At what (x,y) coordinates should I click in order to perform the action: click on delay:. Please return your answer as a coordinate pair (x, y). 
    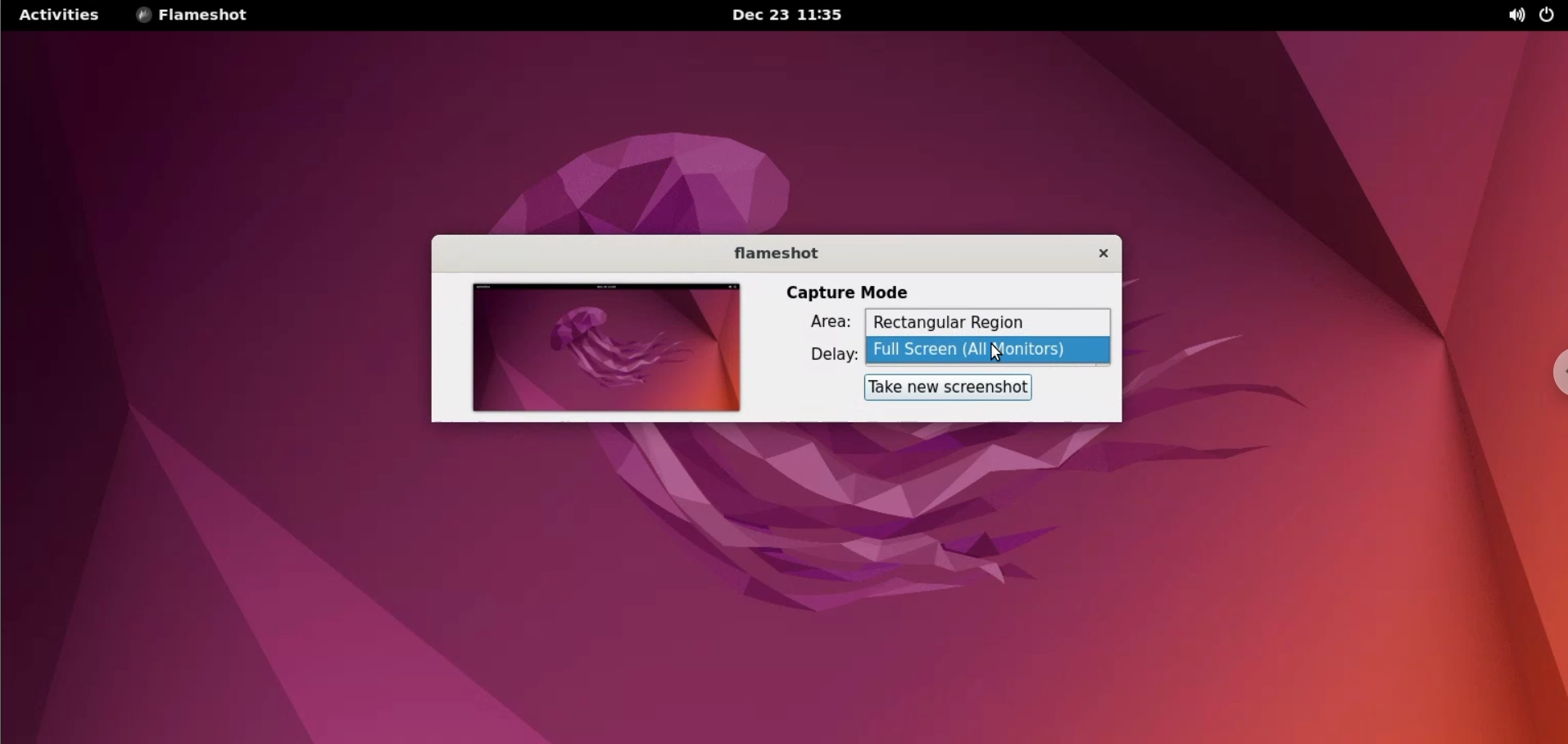
    Looking at the image, I should click on (827, 356).